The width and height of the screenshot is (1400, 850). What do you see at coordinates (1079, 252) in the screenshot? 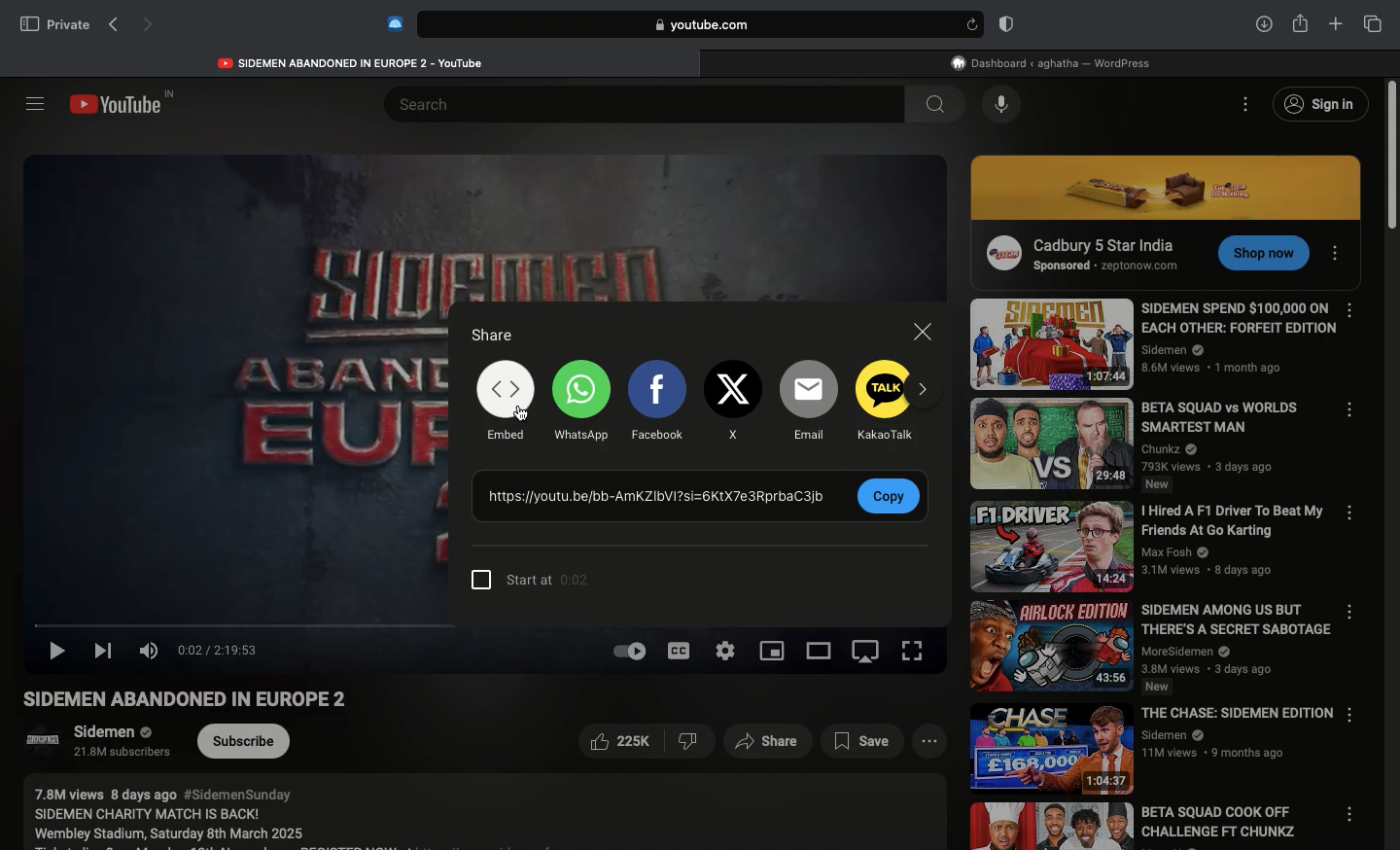
I see `Ad` at bounding box center [1079, 252].